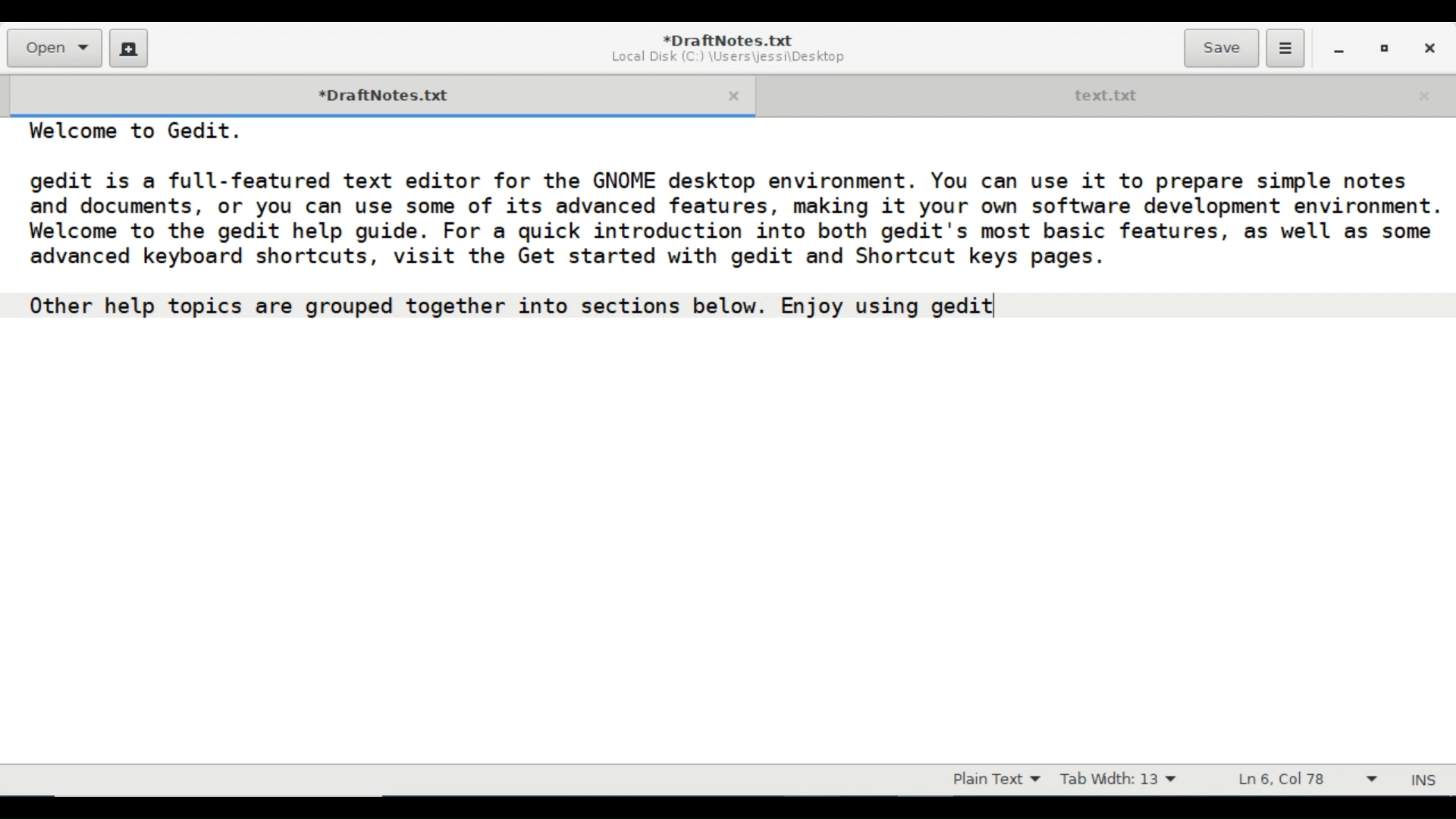 The width and height of the screenshot is (1456, 819). What do you see at coordinates (730, 39) in the screenshot?
I see `Document name` at bounding box center [730, 39].